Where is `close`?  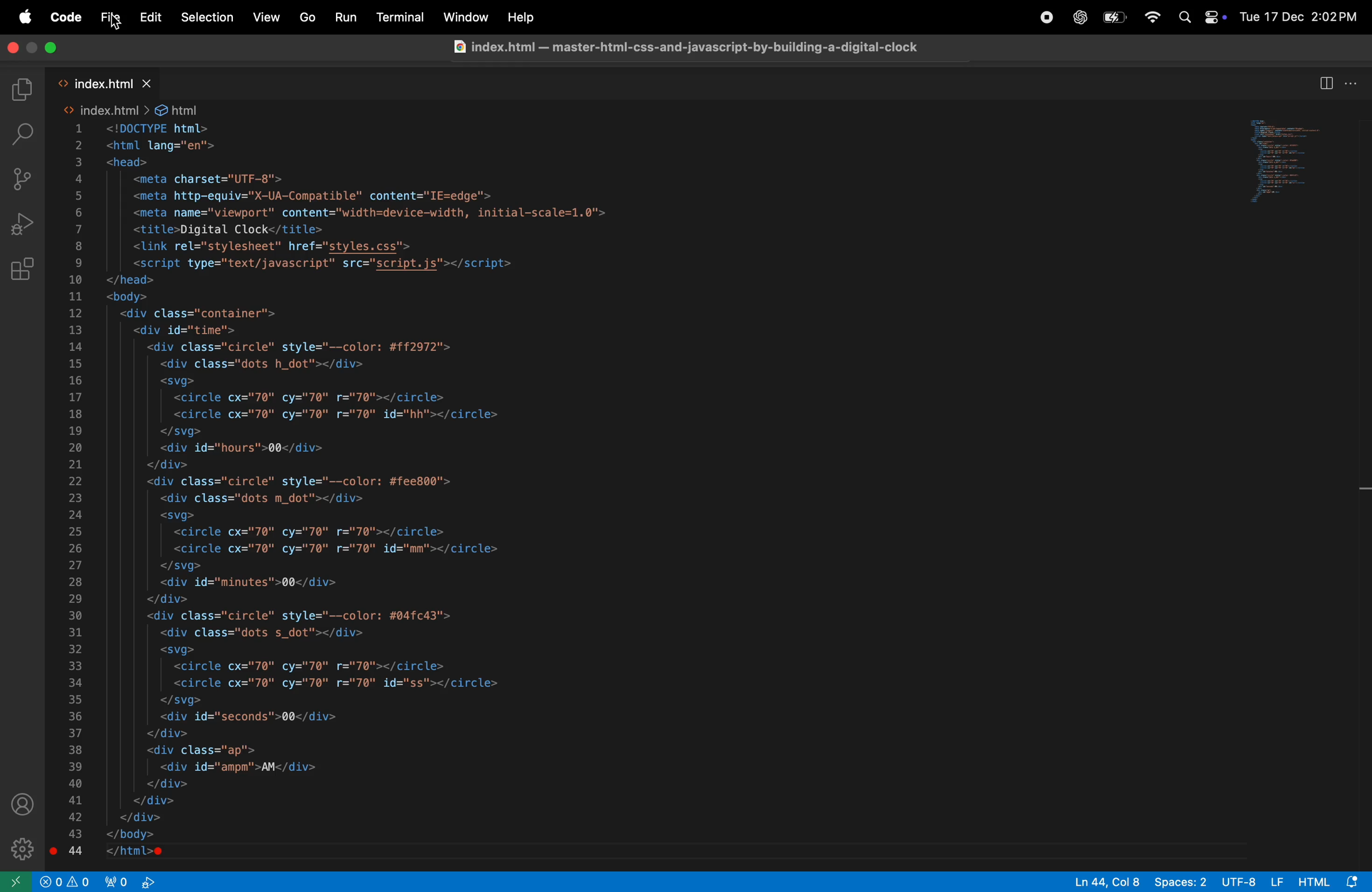 close is located at coordinates (149, 84).